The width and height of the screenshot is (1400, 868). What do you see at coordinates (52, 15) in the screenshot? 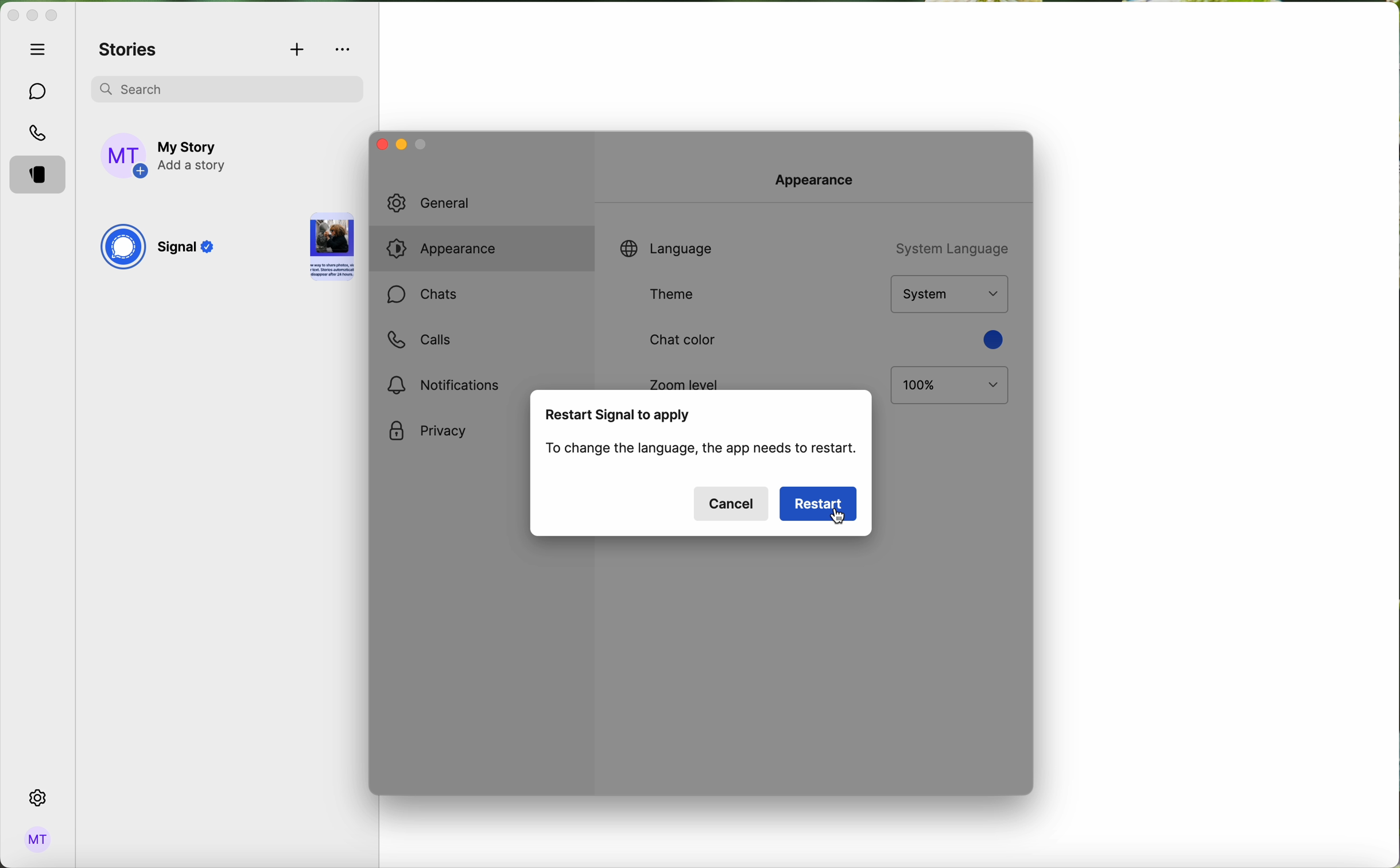
I see `maximize` at bounding box center [52, 15].